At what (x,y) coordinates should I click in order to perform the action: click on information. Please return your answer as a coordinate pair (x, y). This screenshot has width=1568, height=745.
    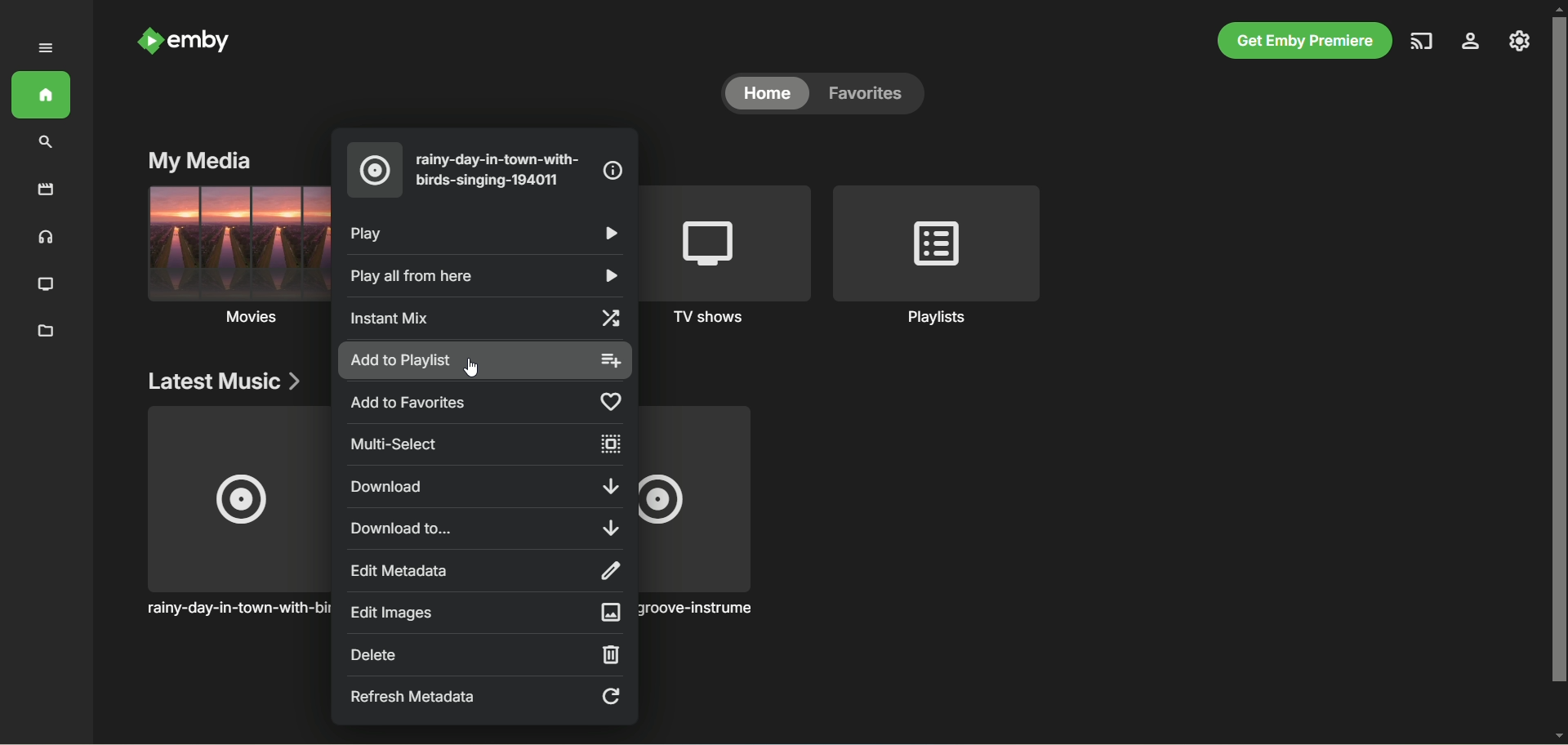
    Looking at the image, I should click on (611, 171).